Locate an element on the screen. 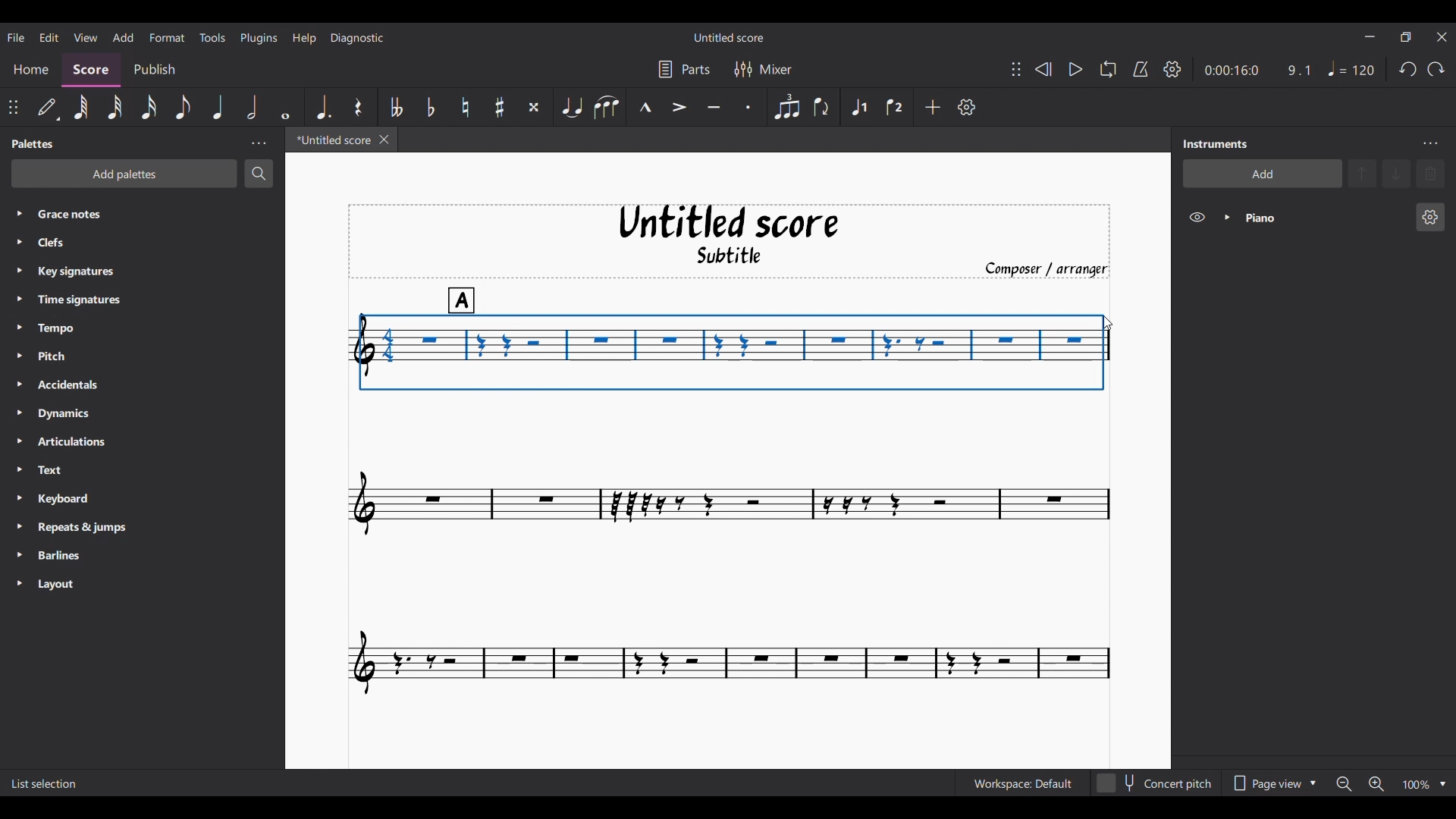 The width and height of the screenshot is (1456, 819). Augmentation dot is located at coordinates (323, 106).